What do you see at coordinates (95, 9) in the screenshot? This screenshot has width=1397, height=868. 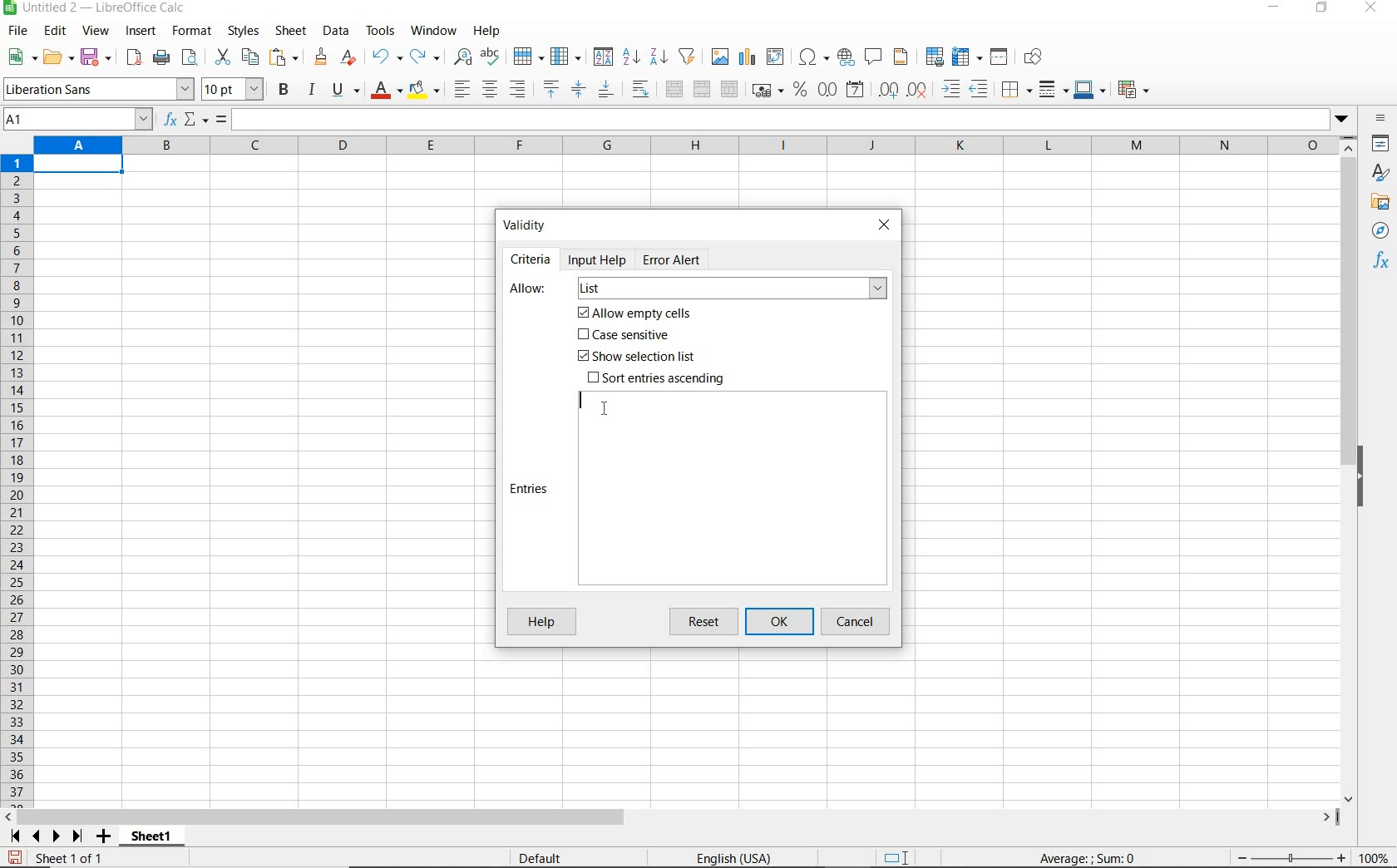 I see `file name` at bounding box center [95, 9].